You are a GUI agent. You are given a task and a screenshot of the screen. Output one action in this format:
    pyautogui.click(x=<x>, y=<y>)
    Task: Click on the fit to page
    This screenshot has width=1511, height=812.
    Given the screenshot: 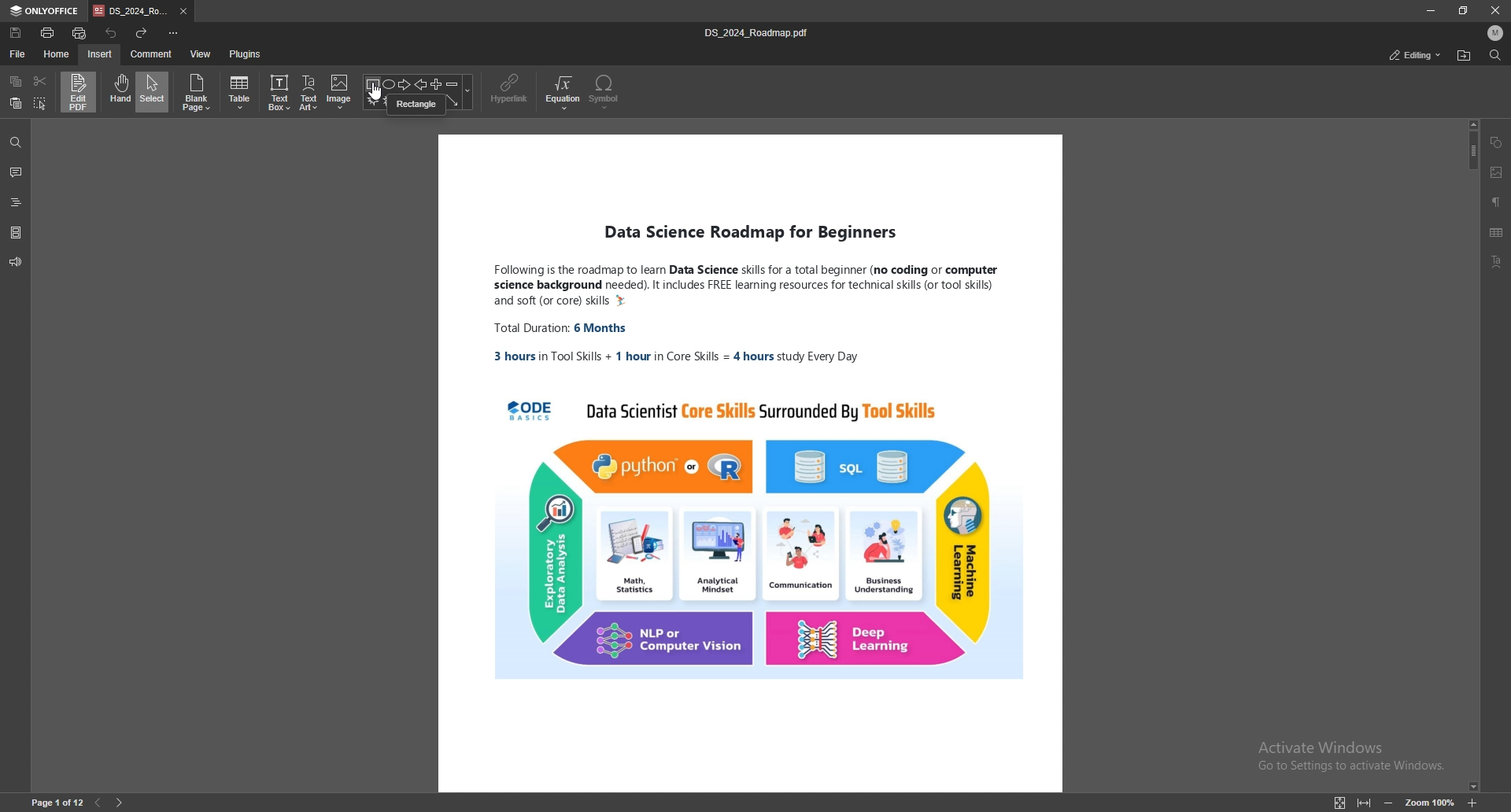 What is the action you would take?
    pyautogui.click(x=1339, y=803)
    